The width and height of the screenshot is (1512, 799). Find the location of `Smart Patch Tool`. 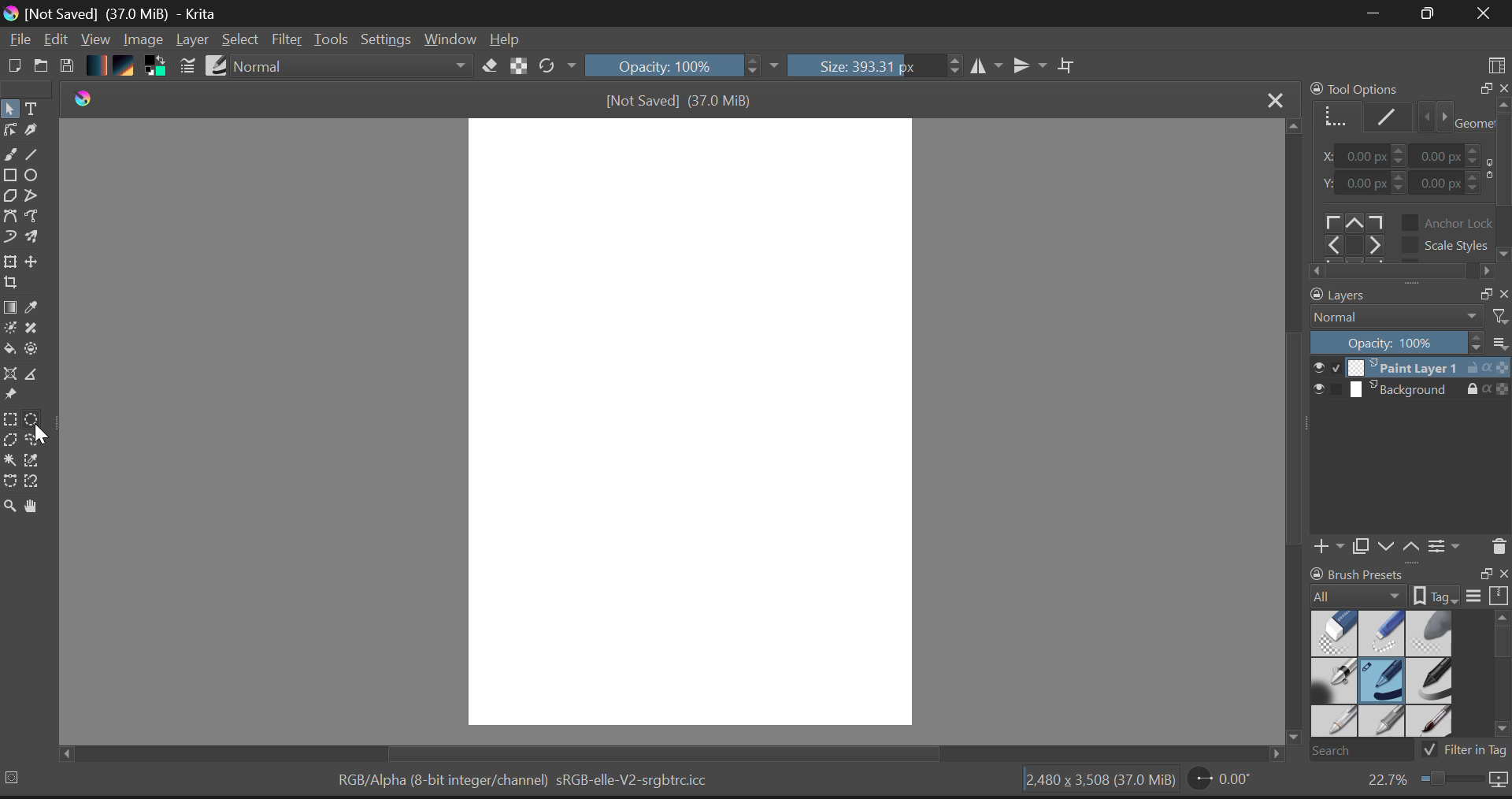

Smart Patch Tool is located at coordinates (34, 331).